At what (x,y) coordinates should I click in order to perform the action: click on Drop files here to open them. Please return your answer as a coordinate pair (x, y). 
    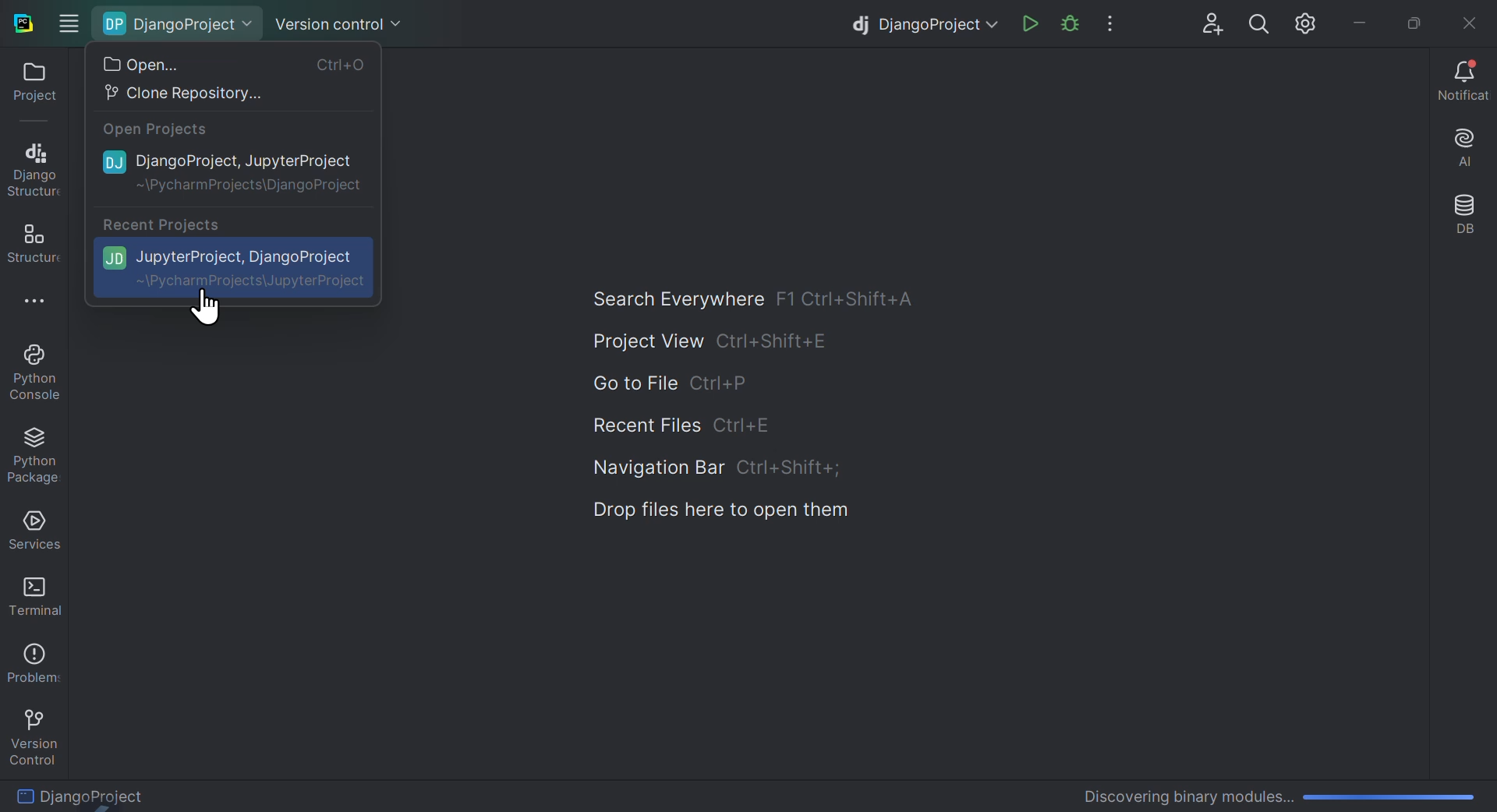
    Looking at the image, I should click on (717, 507).